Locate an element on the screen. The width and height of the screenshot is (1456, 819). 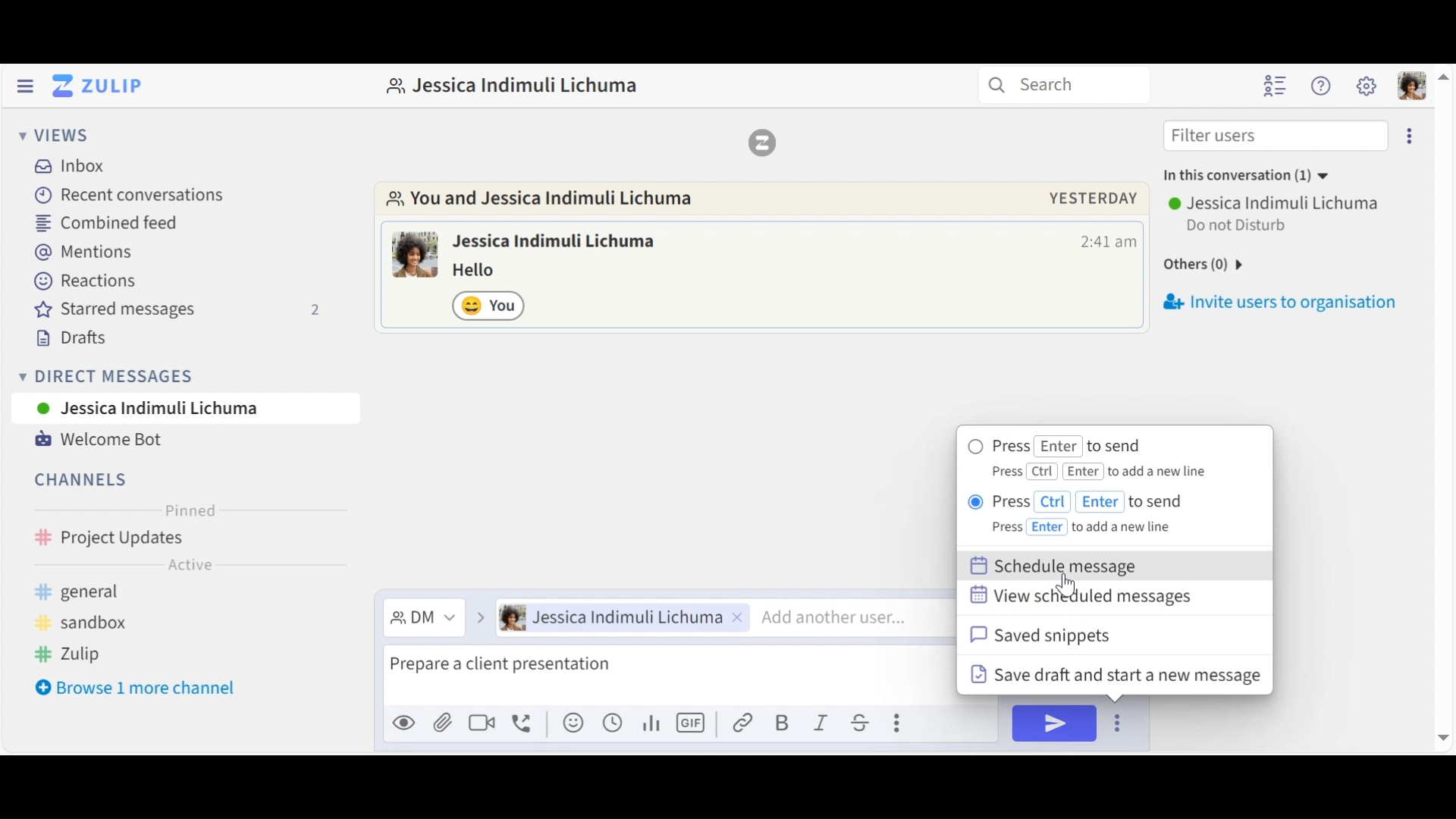
Help menu is located at coordinates (1323, 86).